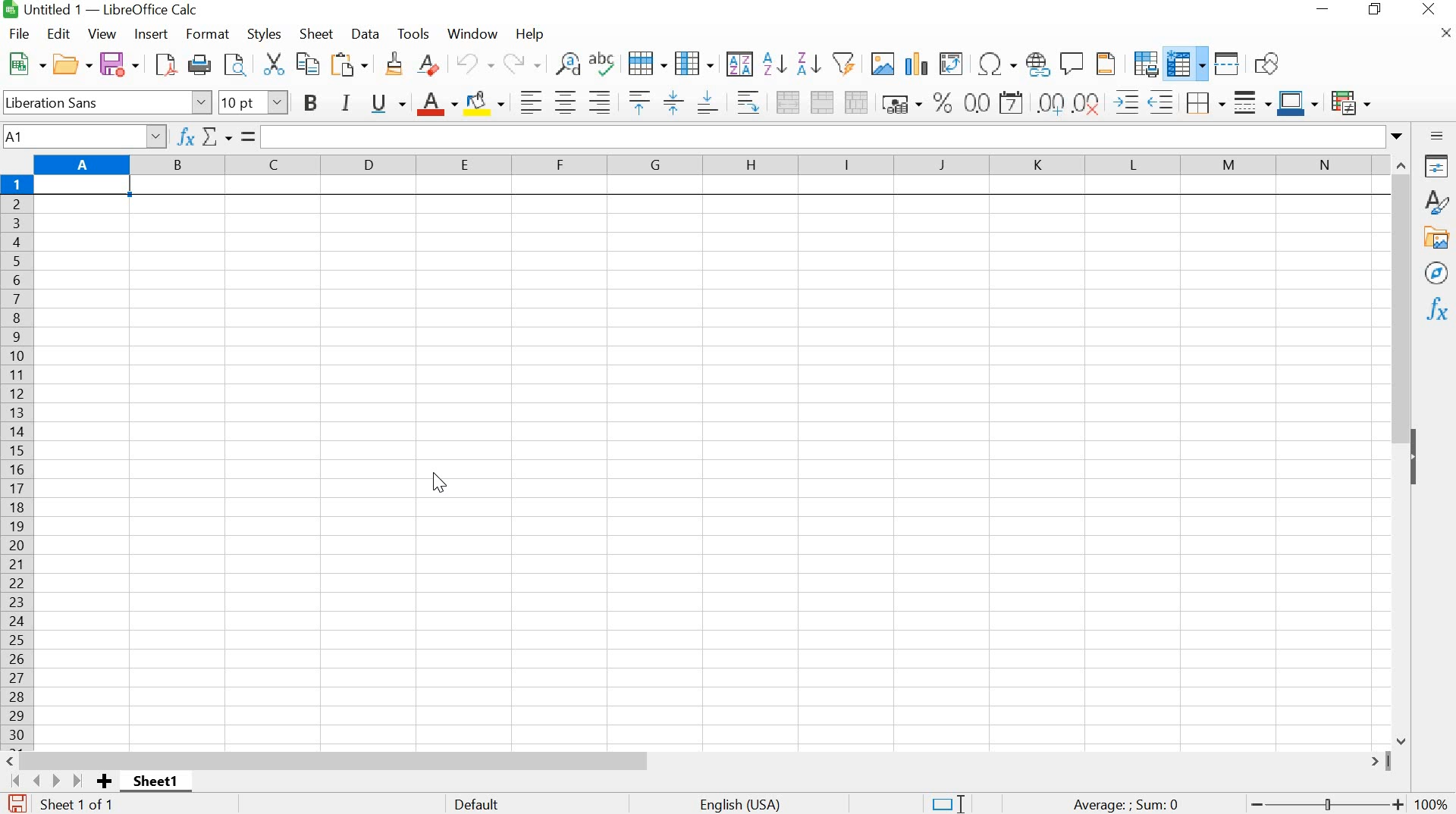 The height and width of the screenshot is (814, 1456). What do you see at coordinates (106, 101) in the screenshot?
I see `FONT NAME` at bounding box center [106, 101].